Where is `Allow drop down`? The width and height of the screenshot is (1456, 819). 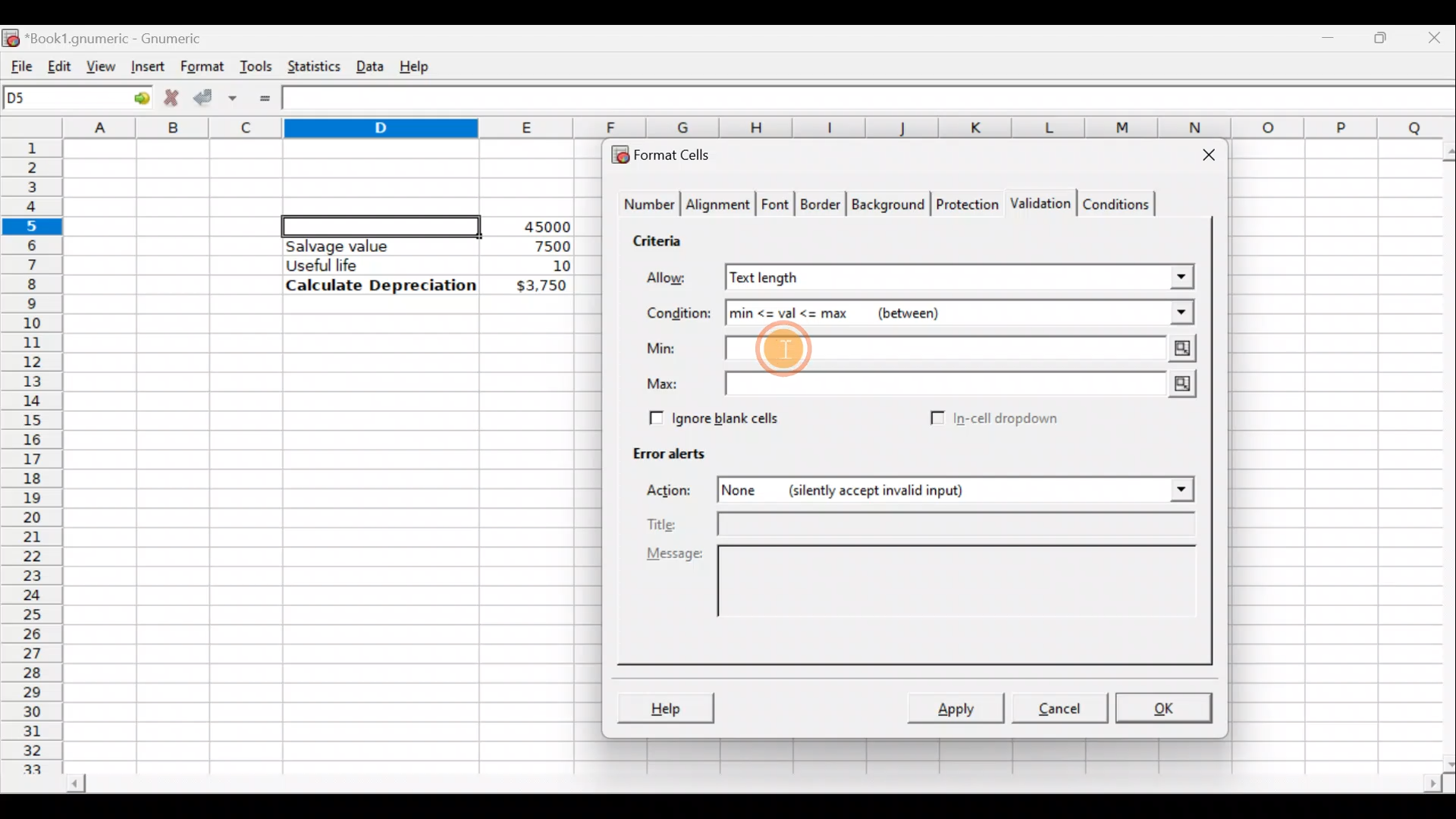 Allow drop down is located at coordinates (1180, 275).